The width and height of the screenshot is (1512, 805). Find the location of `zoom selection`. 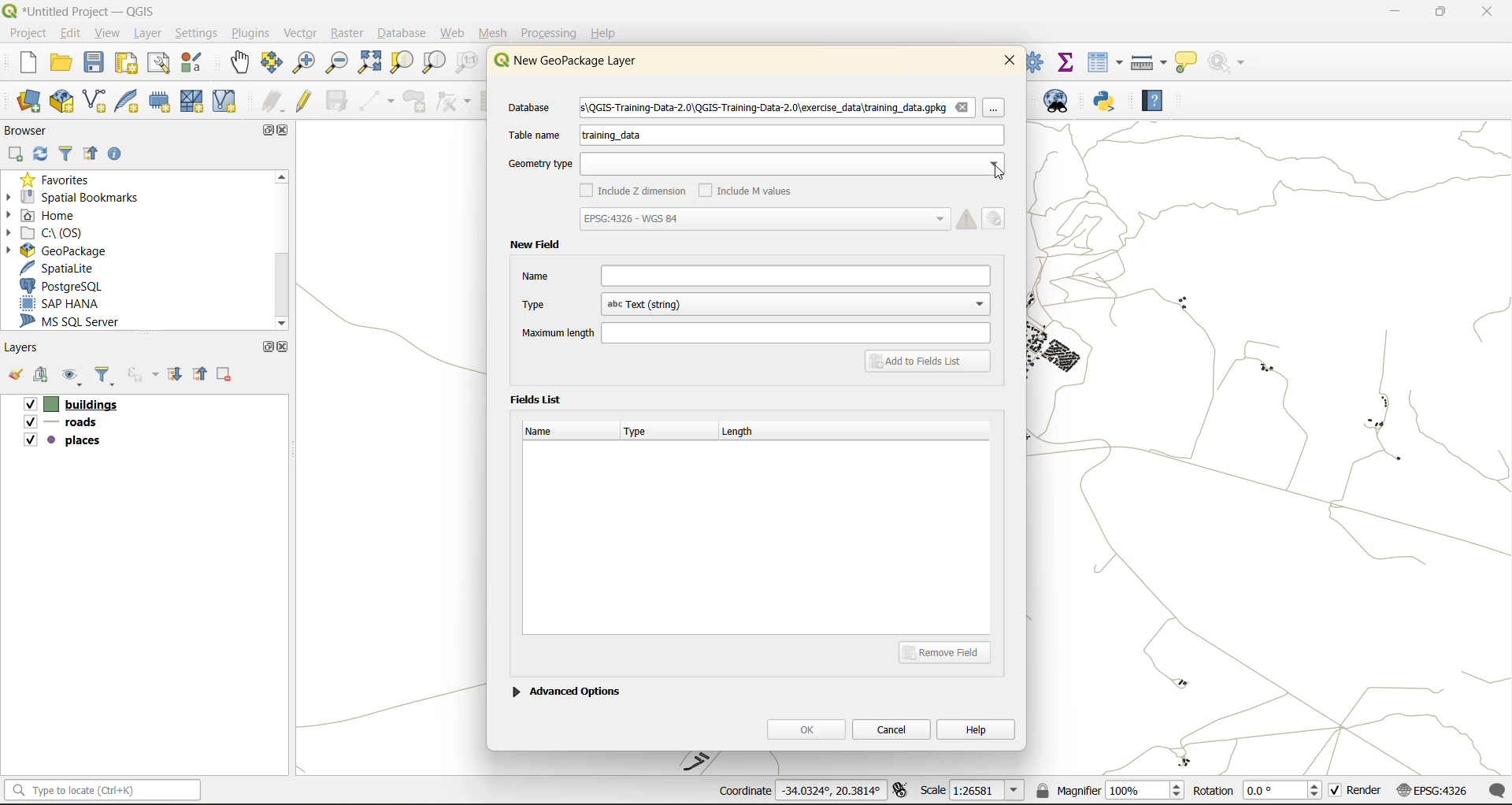

zoom selection is located at coordinates (404, 62).